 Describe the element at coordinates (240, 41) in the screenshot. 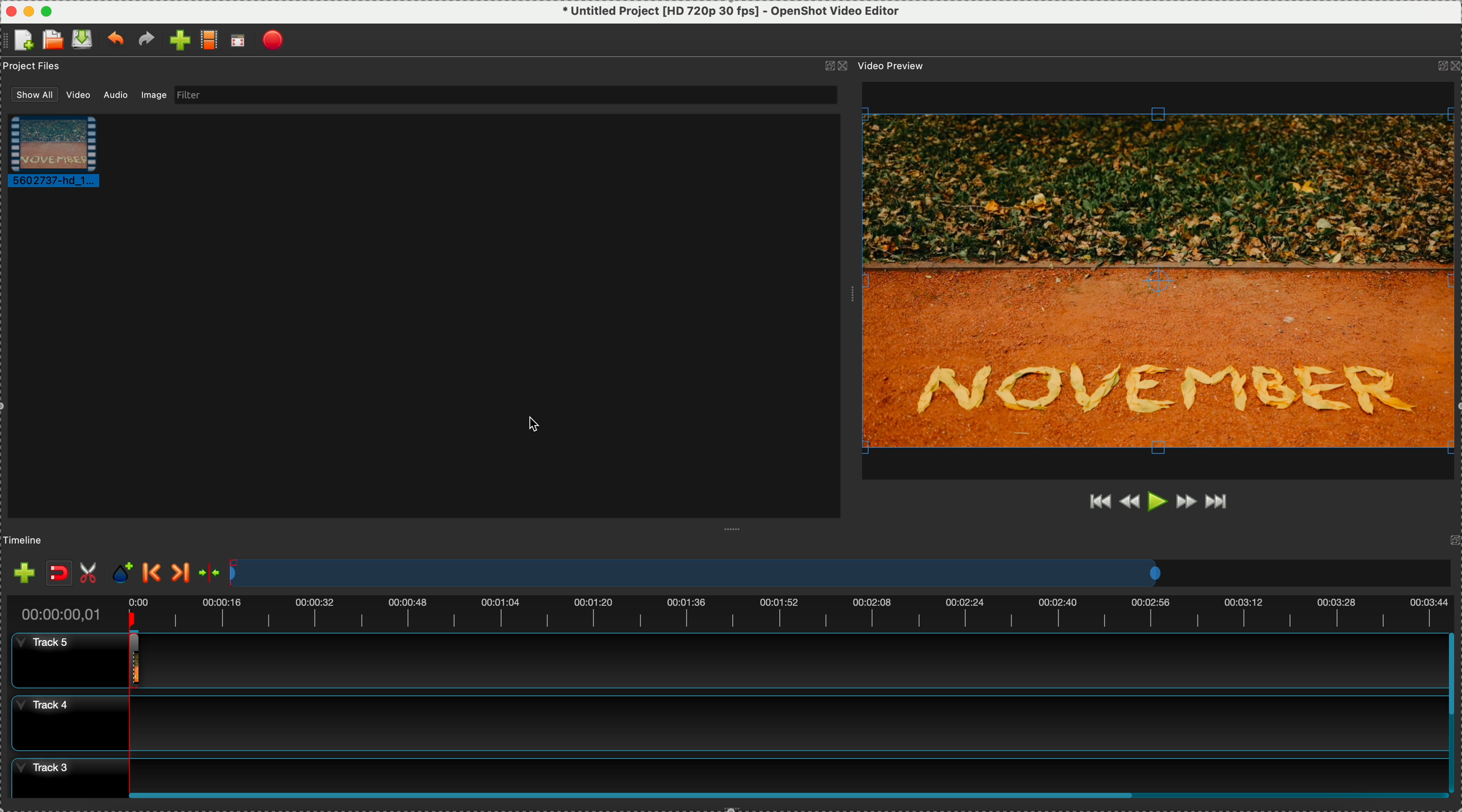

I see `full screen` at that location.